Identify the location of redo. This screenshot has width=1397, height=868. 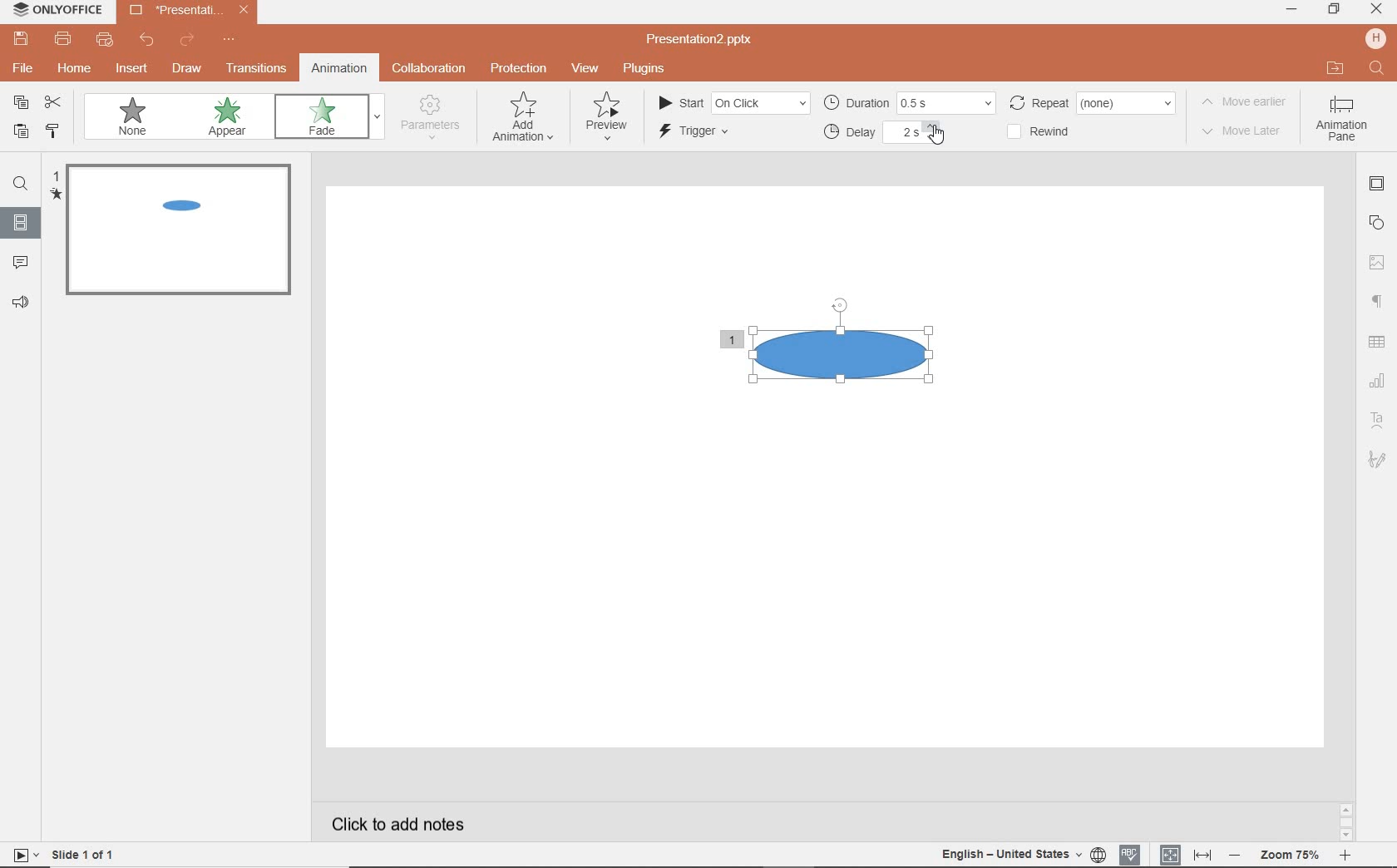
(188, 41).